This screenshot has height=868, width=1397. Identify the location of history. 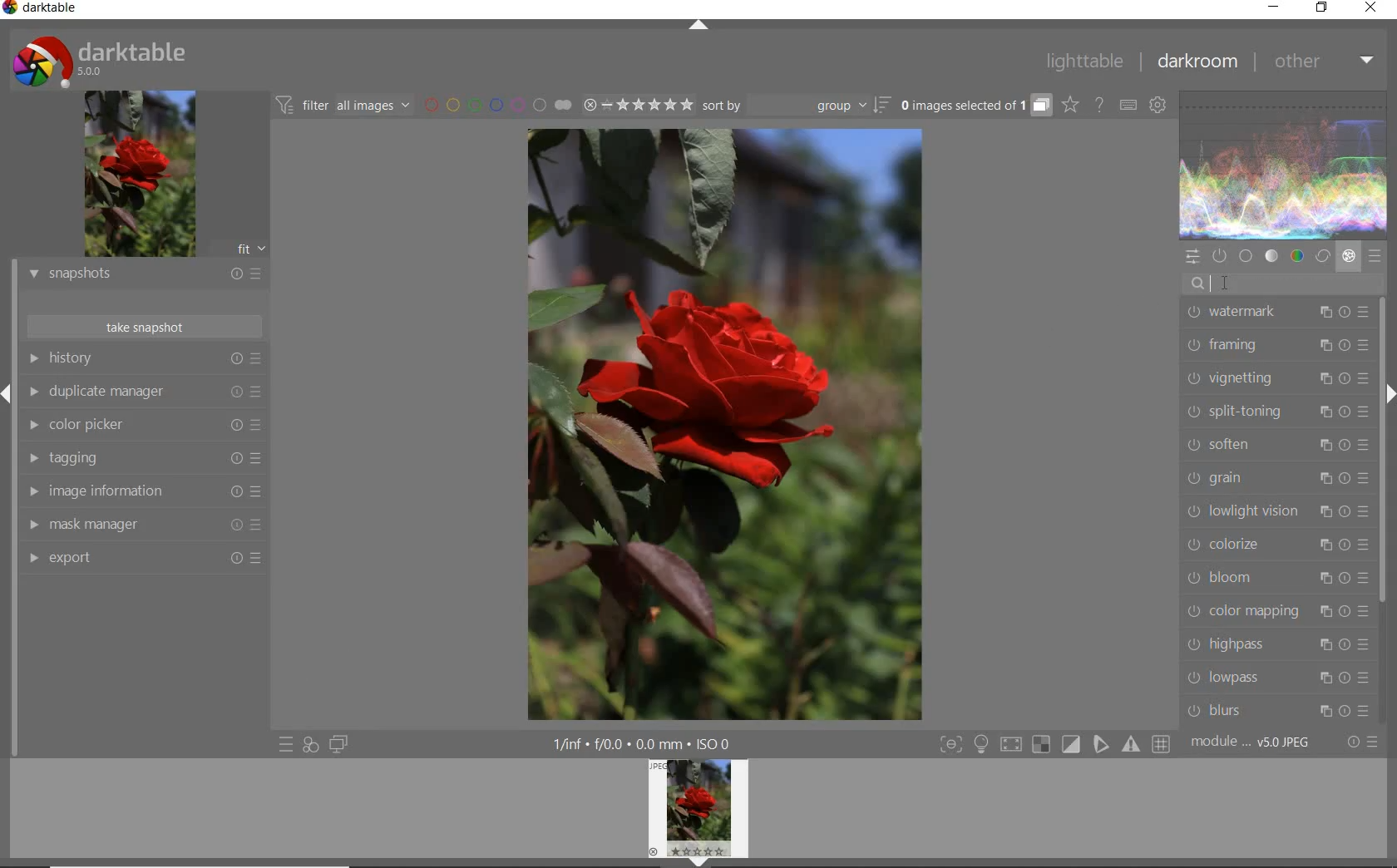
(142, 360).